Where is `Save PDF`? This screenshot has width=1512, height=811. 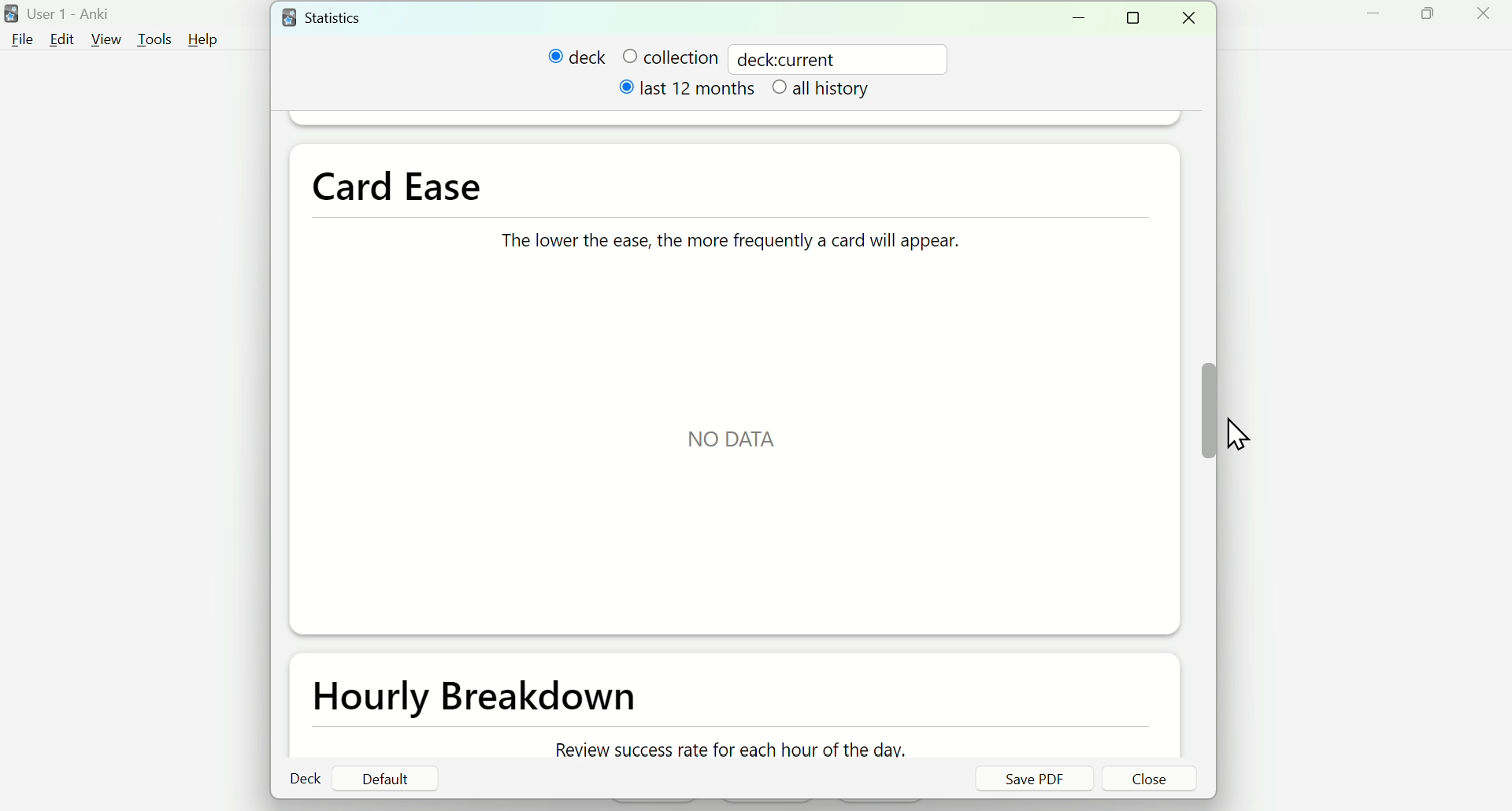
Save PDF is located at coordinates (1033, 779).